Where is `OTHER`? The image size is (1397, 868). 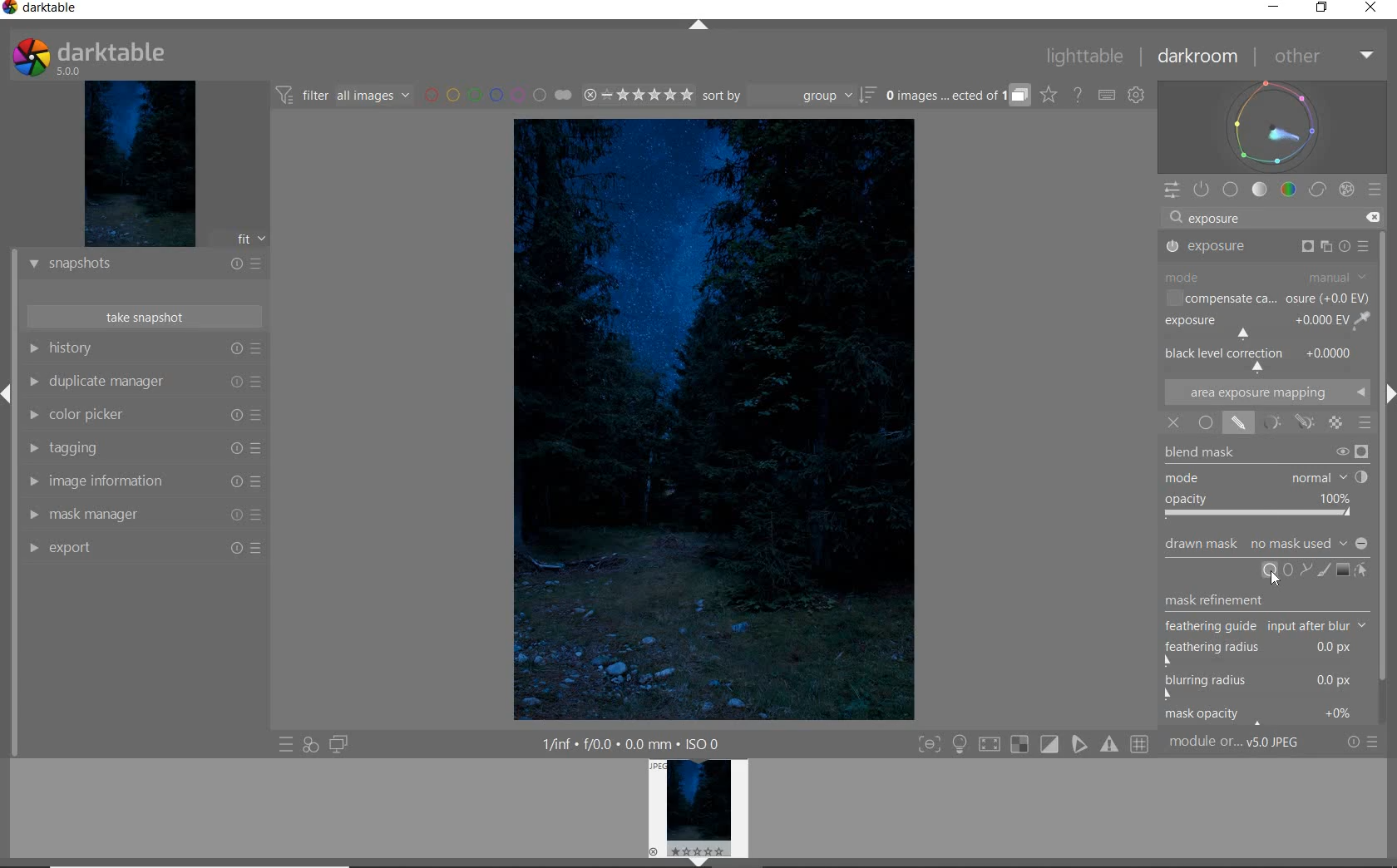 OTHER is located at coordinates (1321, 57).